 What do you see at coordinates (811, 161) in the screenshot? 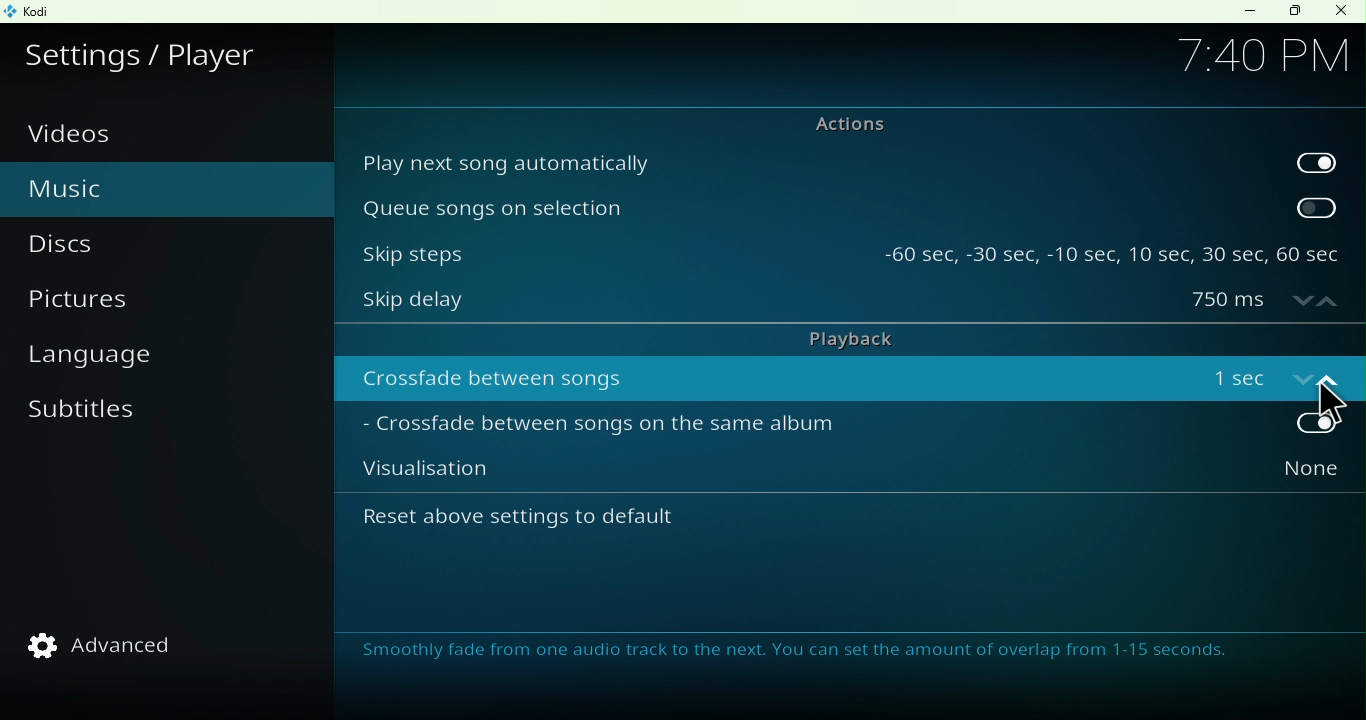
I see `Play next song automatically` at bounding box center [811, 161].